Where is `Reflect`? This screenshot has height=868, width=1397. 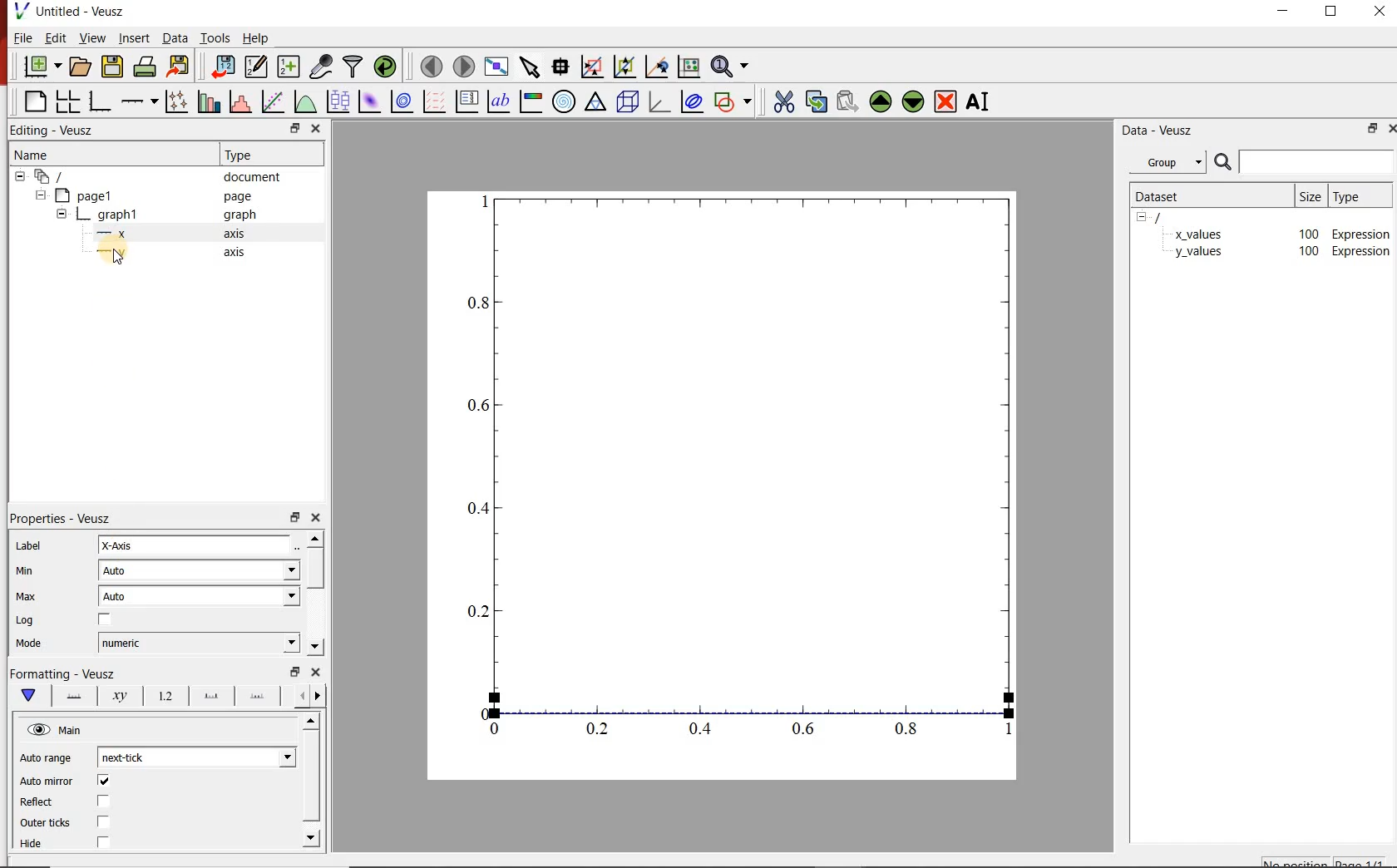 Reflect is located at coordinates (46, 803).